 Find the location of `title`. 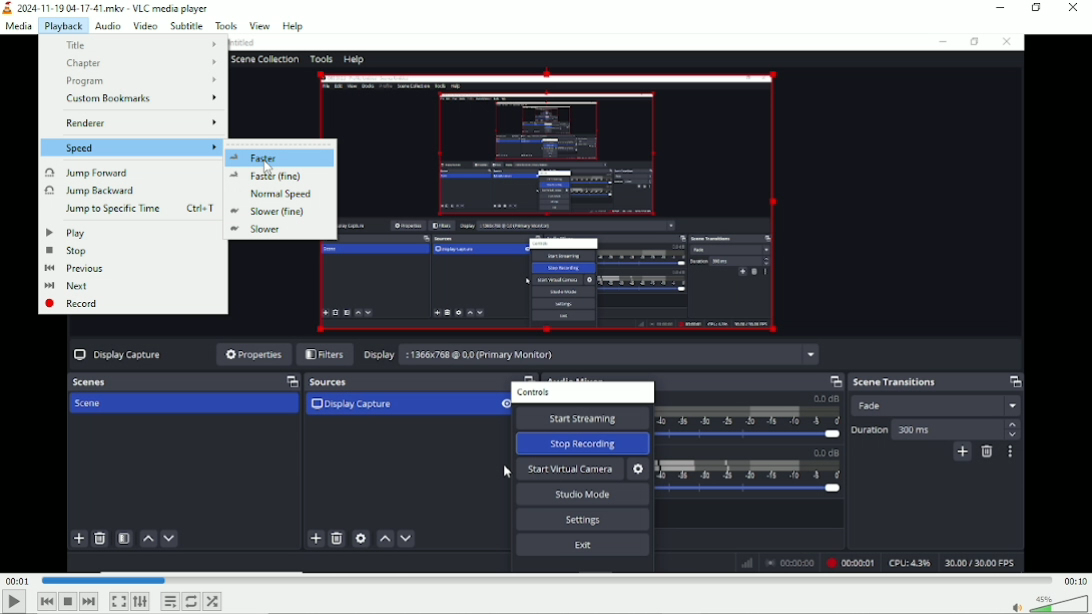

title is located at coordinates (133, 45).